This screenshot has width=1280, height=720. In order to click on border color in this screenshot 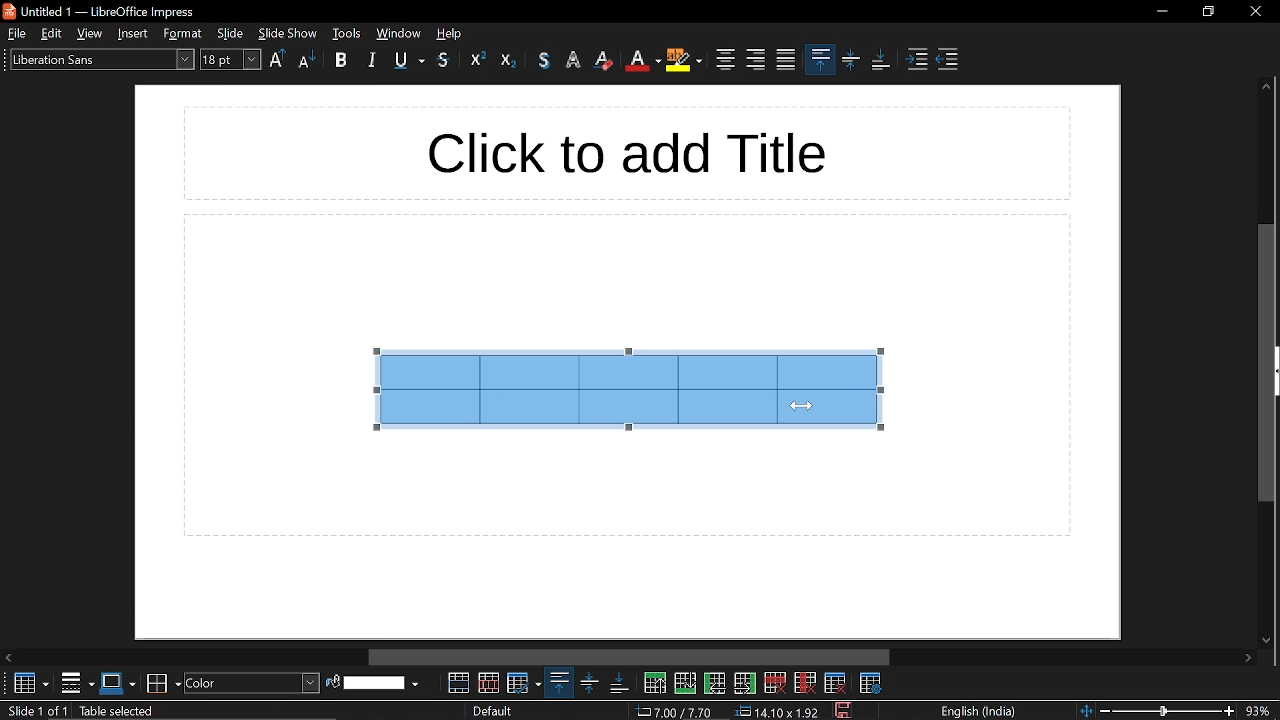, I will do `click(163, 681)`.